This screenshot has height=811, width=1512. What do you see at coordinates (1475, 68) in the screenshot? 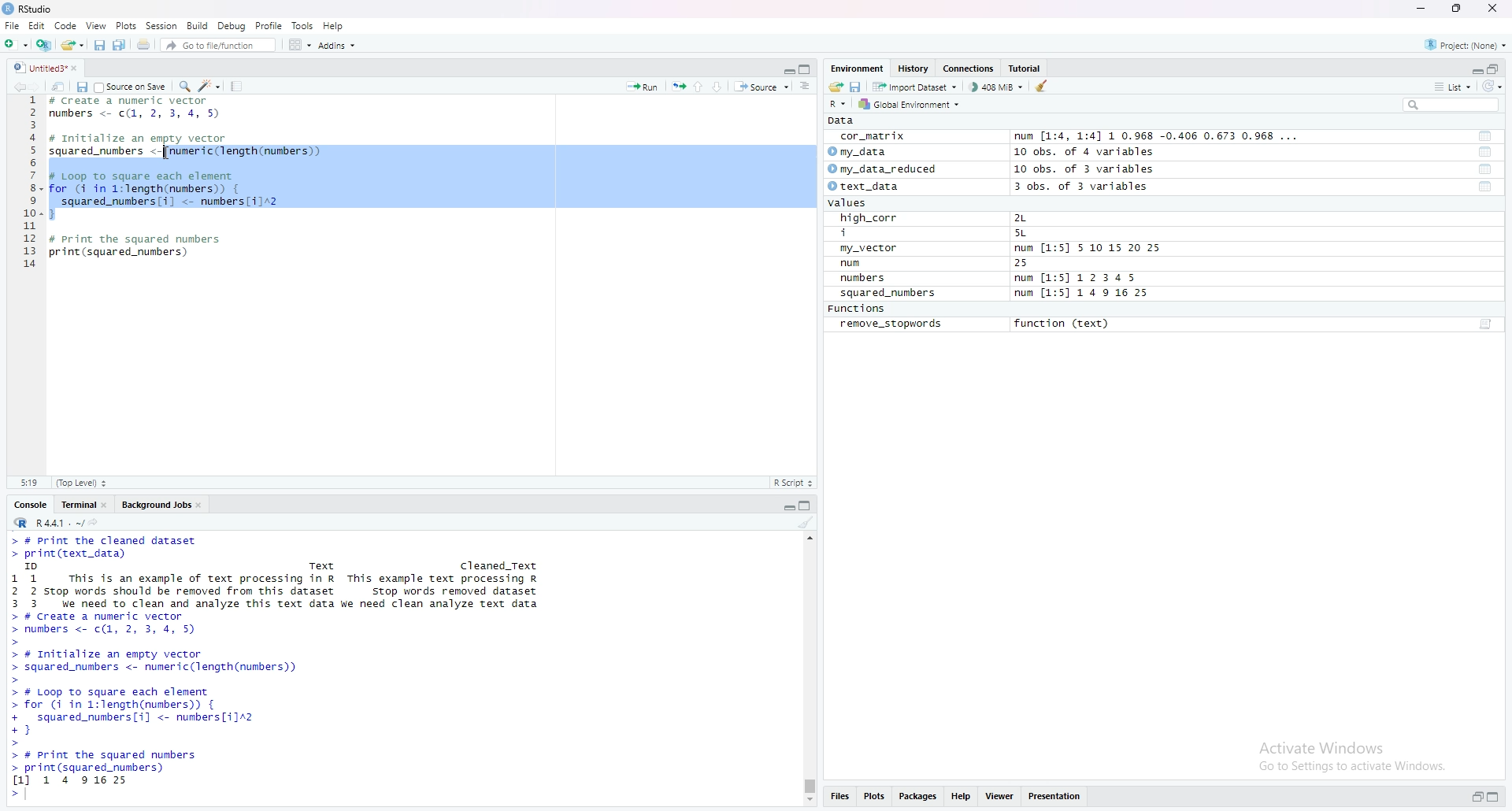
I see `minimize` at bounding box center [1475, 68].